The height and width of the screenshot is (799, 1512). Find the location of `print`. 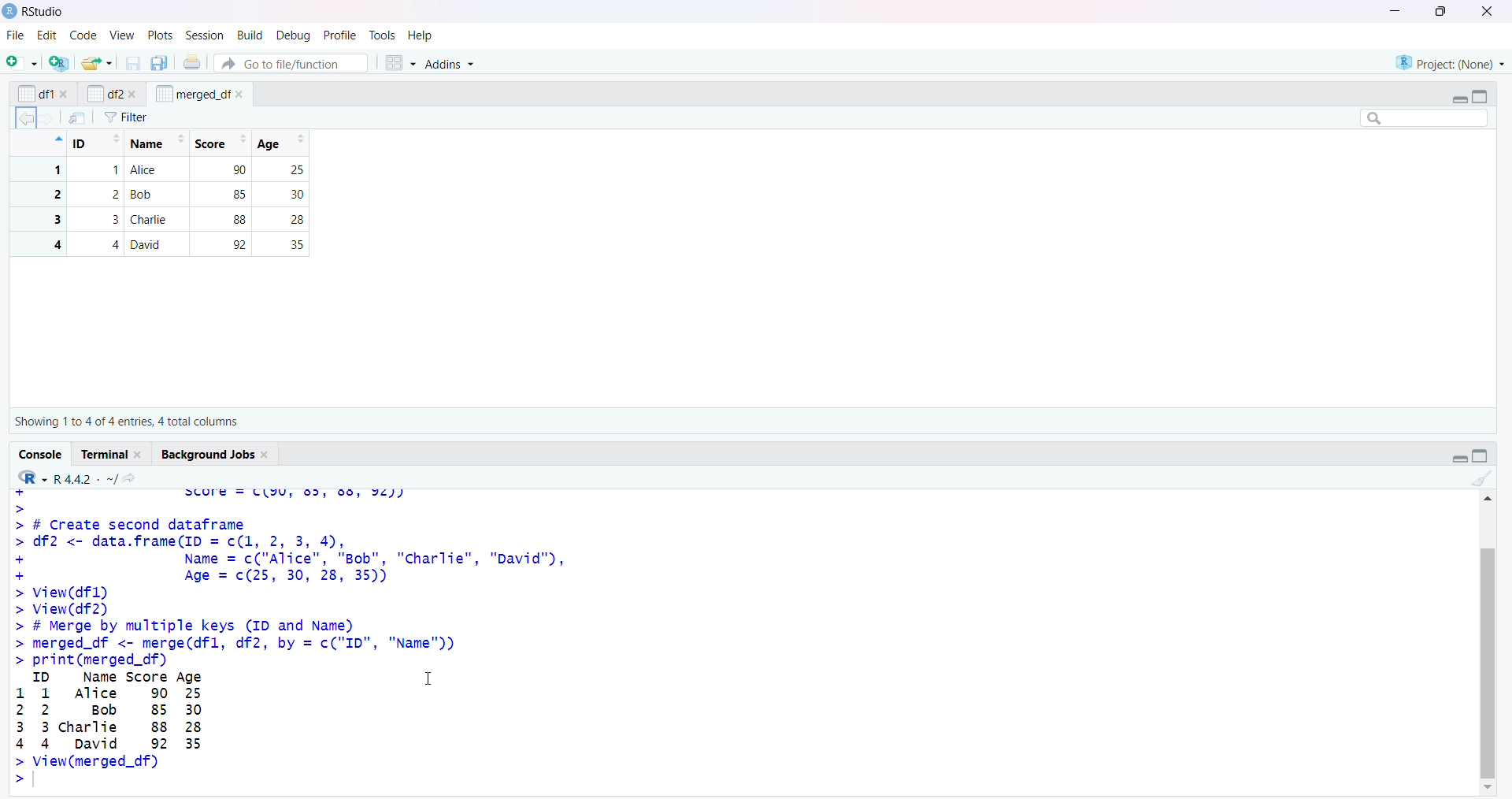

print is located at coordinates (193, 61).